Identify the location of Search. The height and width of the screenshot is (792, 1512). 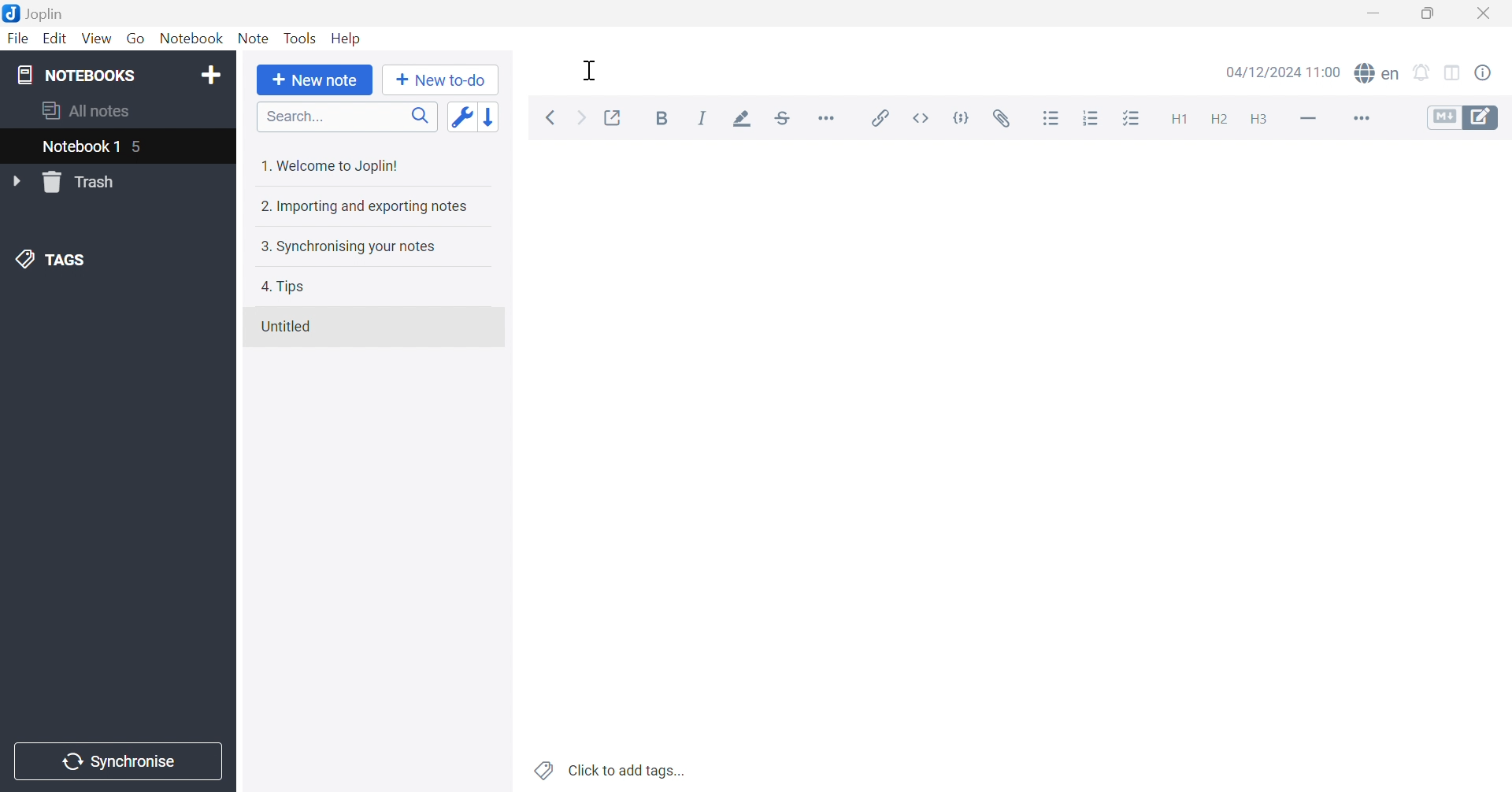
(347, 118).